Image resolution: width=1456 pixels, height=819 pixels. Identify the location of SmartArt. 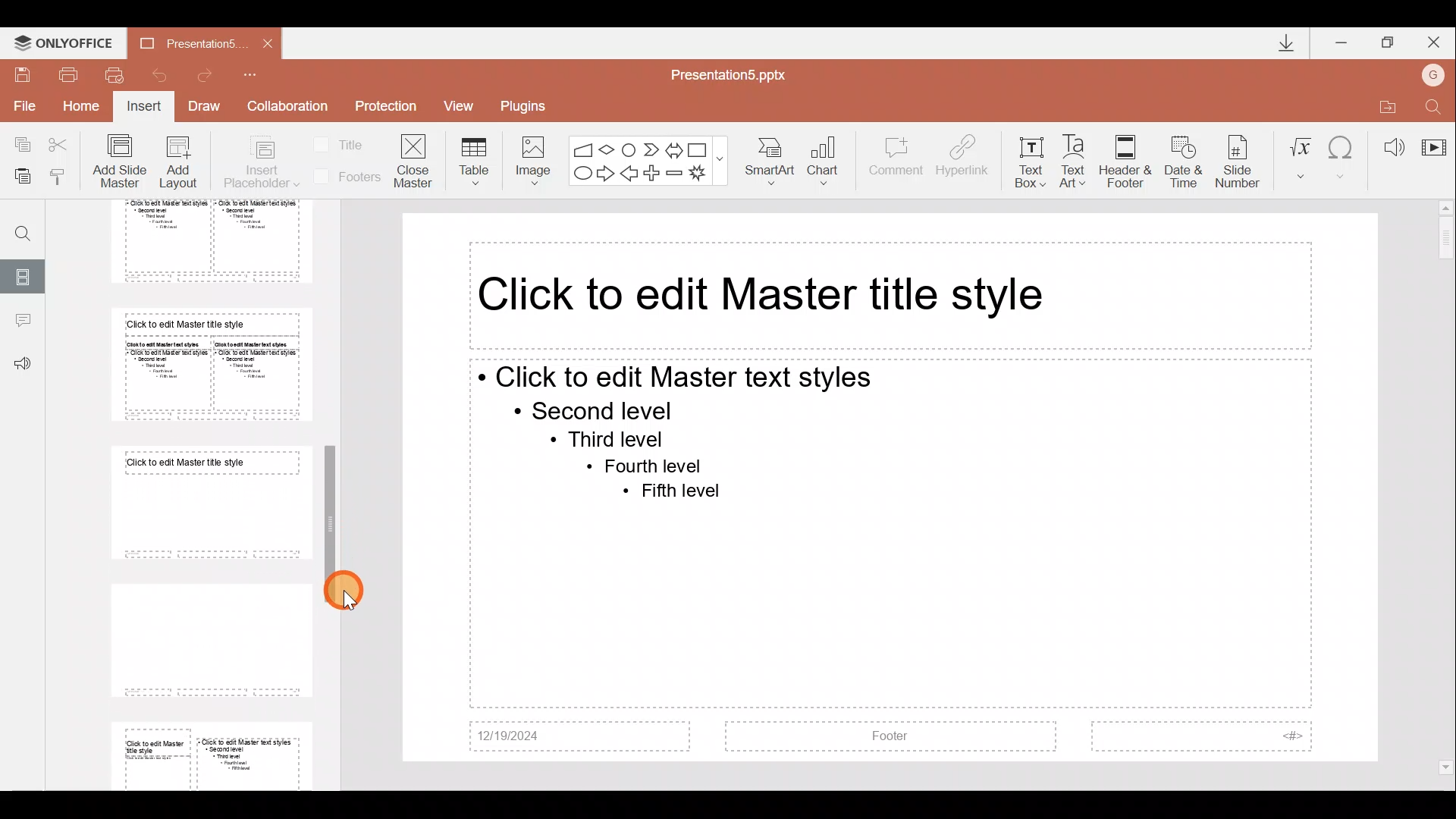
(773, 162).